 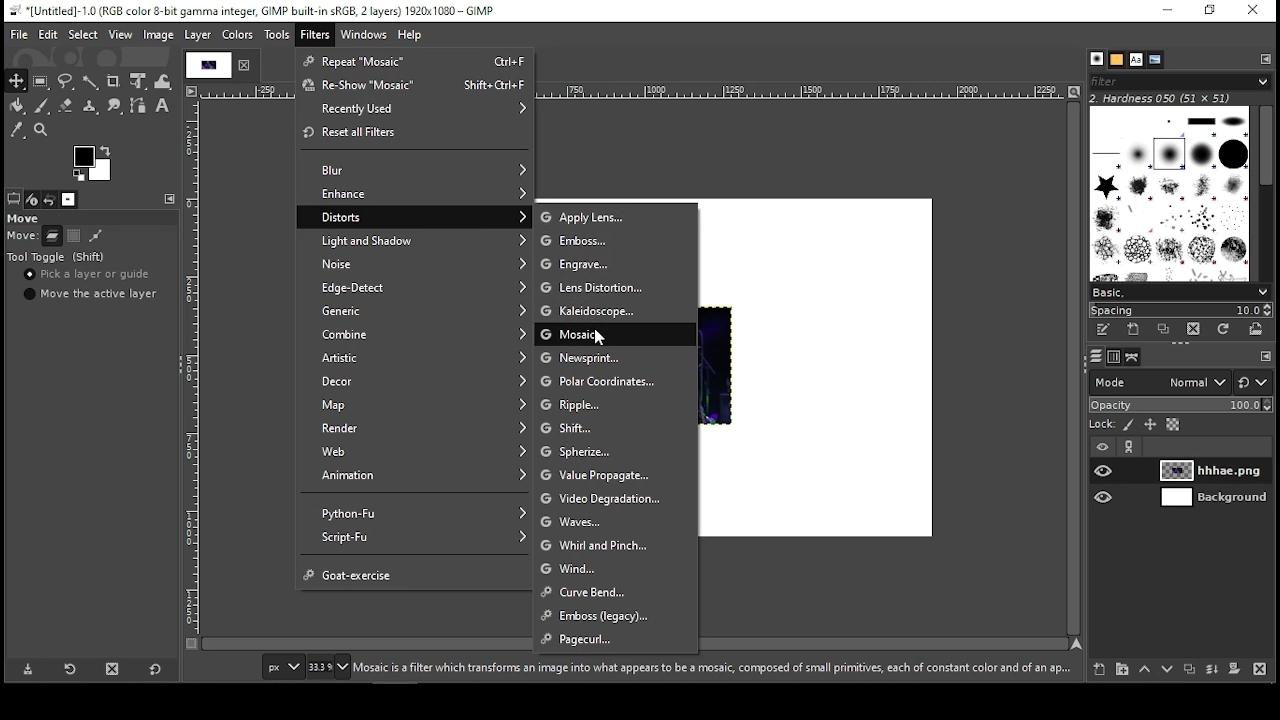 What do you see at coordinates (616, 380) in the screenshot?
I see `polar coordinates` at bounding box center [616, 380].